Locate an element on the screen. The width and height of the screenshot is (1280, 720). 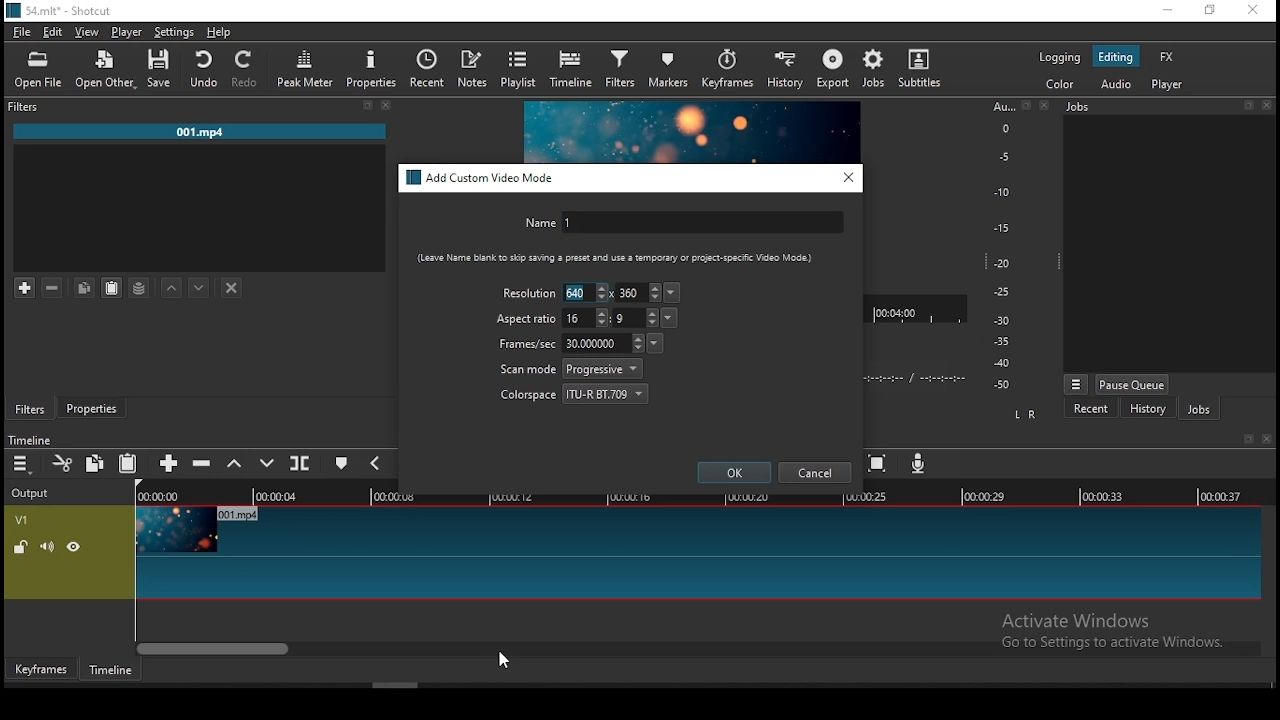
filter is located at coordinates (621, 70).